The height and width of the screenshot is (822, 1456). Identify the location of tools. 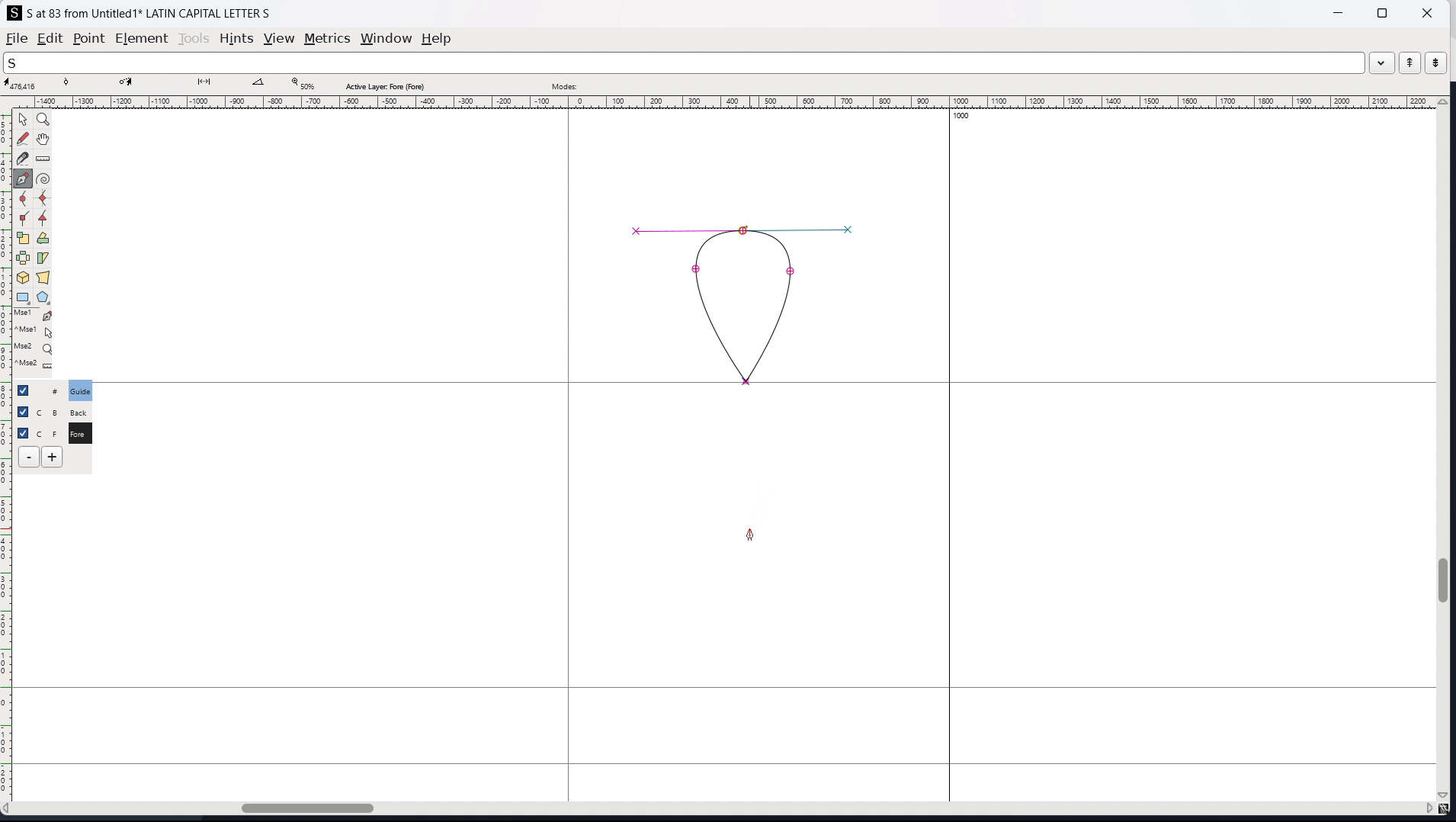
(195, 38).